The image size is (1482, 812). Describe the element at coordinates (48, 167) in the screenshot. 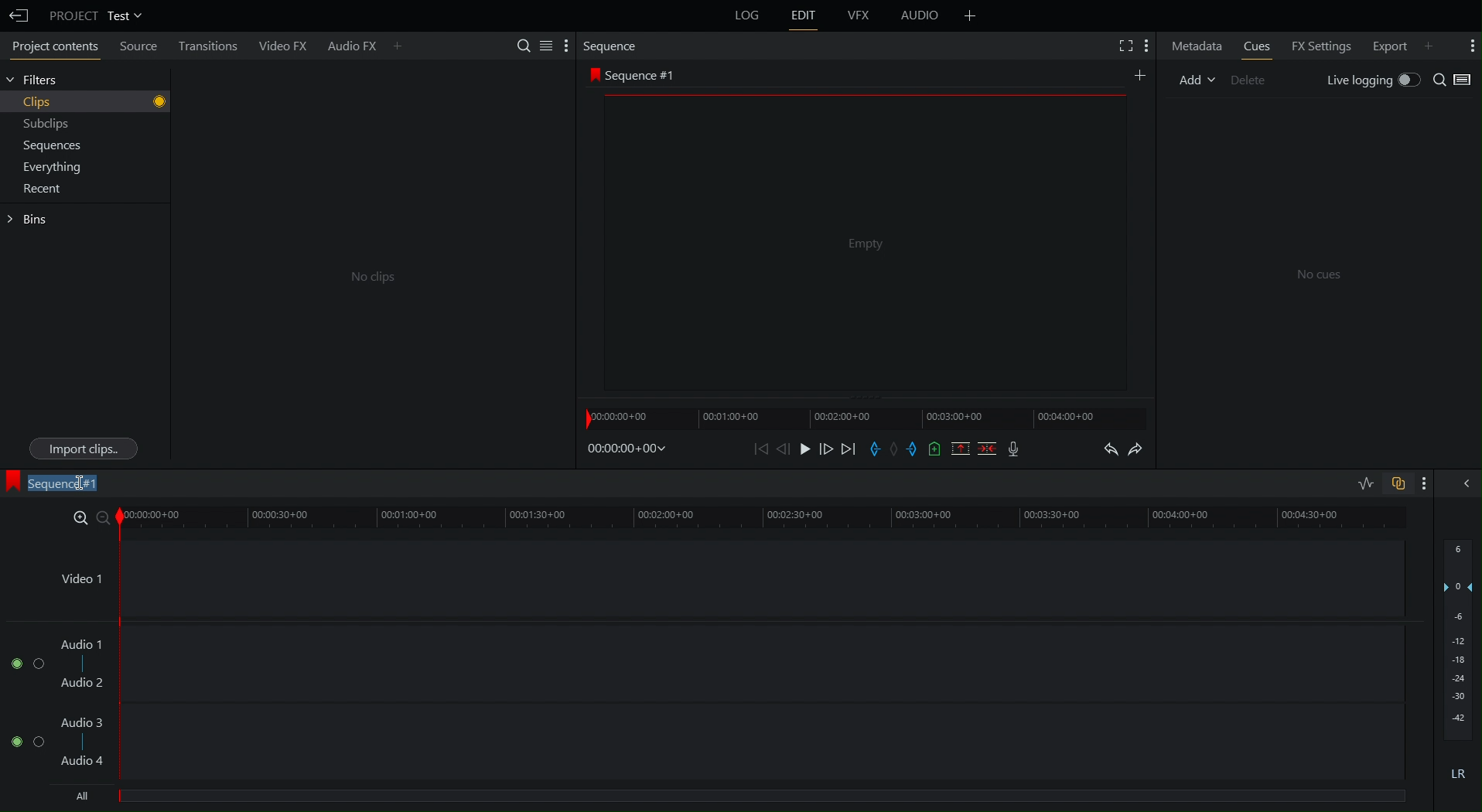

I see `Everything` at that location.